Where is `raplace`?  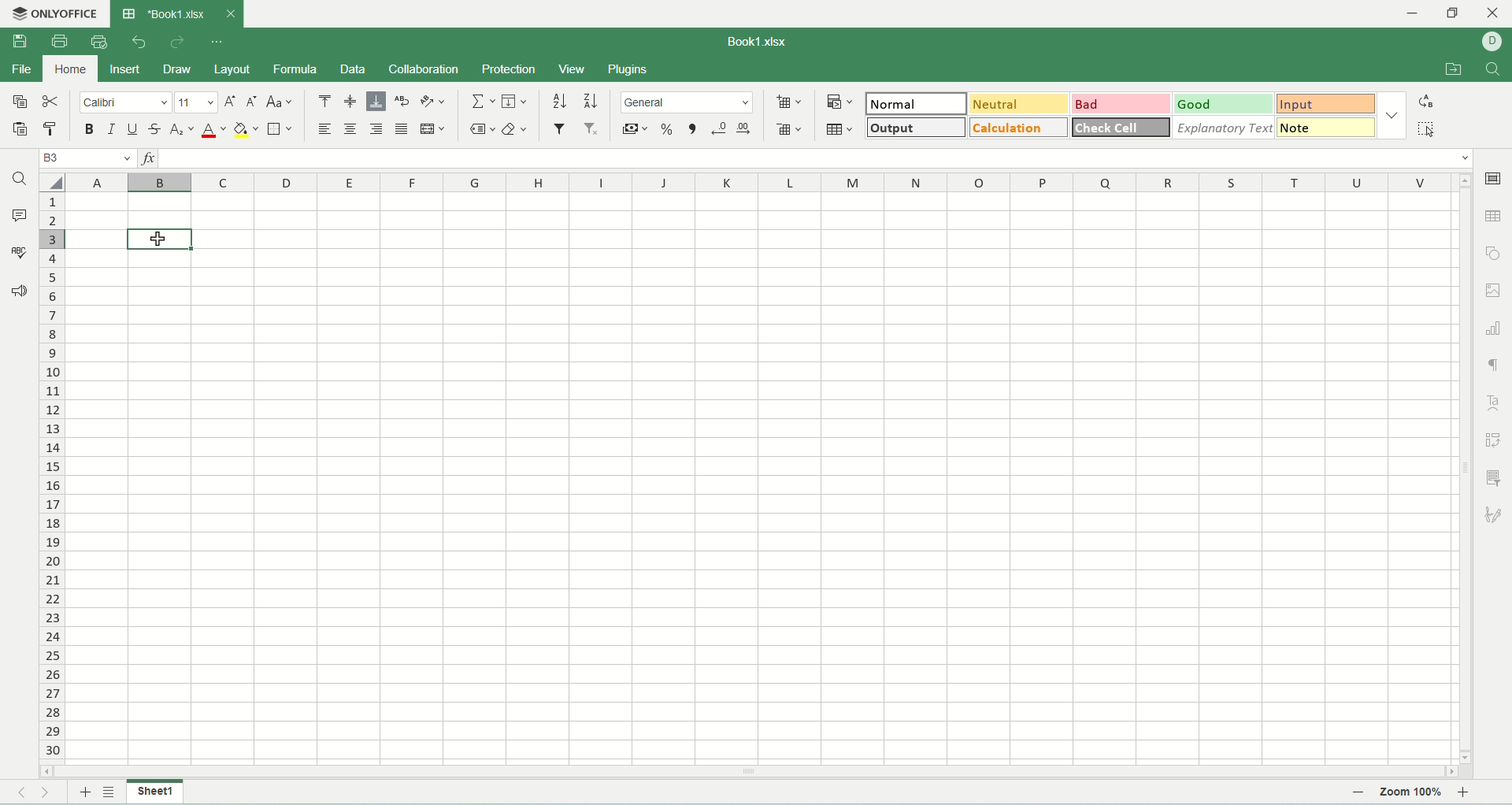 raplace is located at coordinates (1429, 101).